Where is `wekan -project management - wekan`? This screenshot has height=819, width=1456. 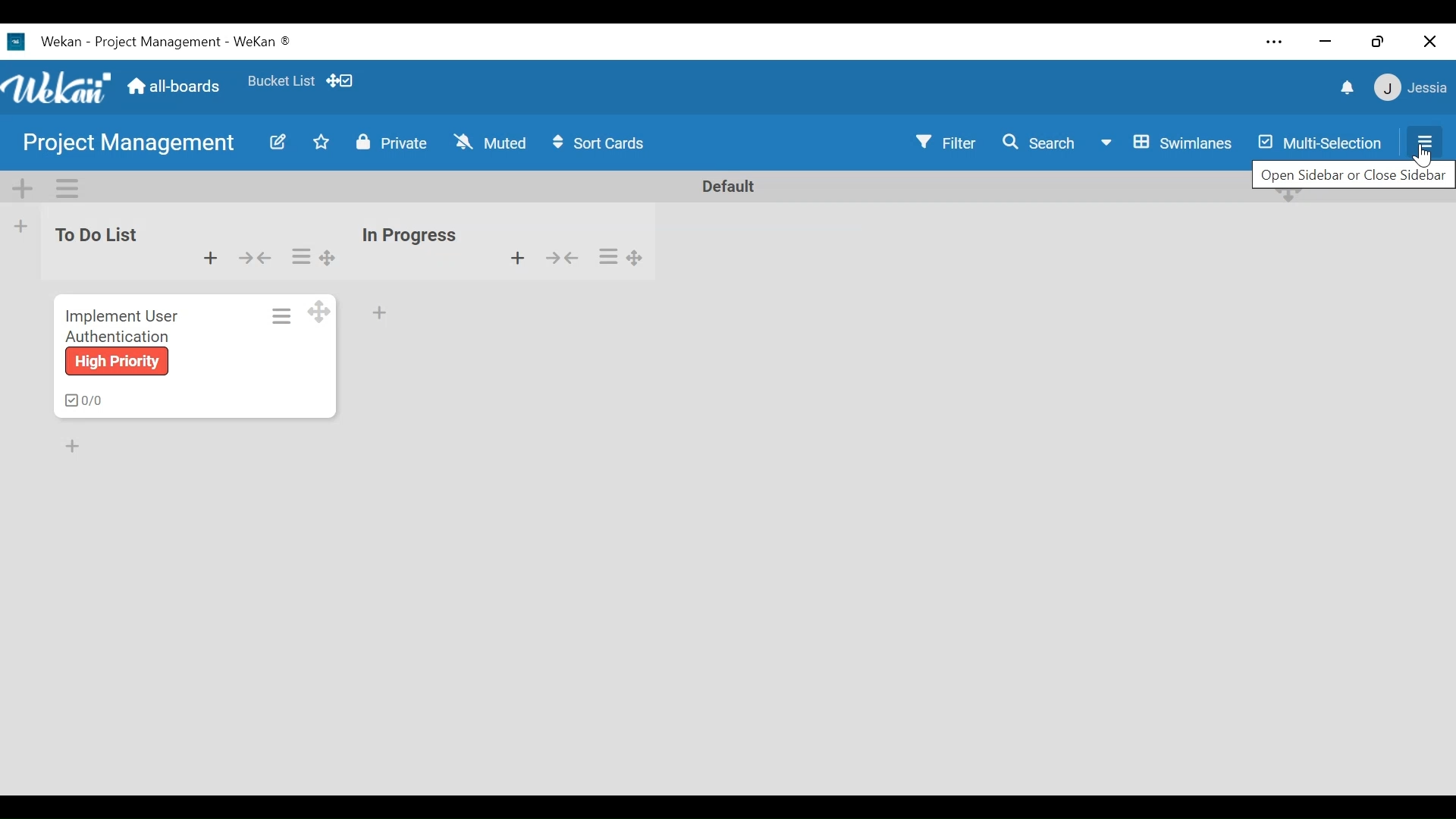
wekan -project management - wekan is located at coordinates (168, 39).